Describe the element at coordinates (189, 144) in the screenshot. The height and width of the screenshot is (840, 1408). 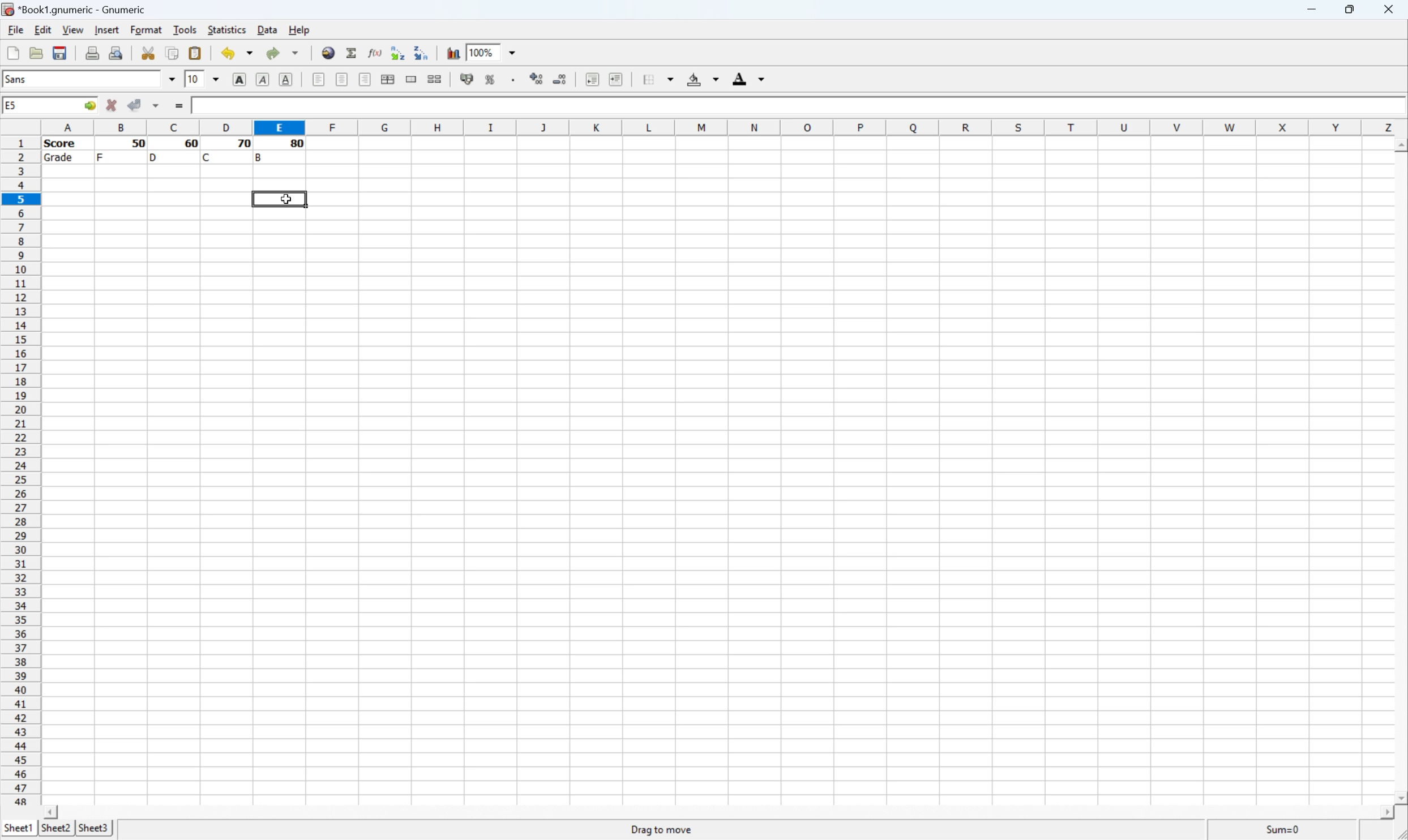
I see `60` at that location.